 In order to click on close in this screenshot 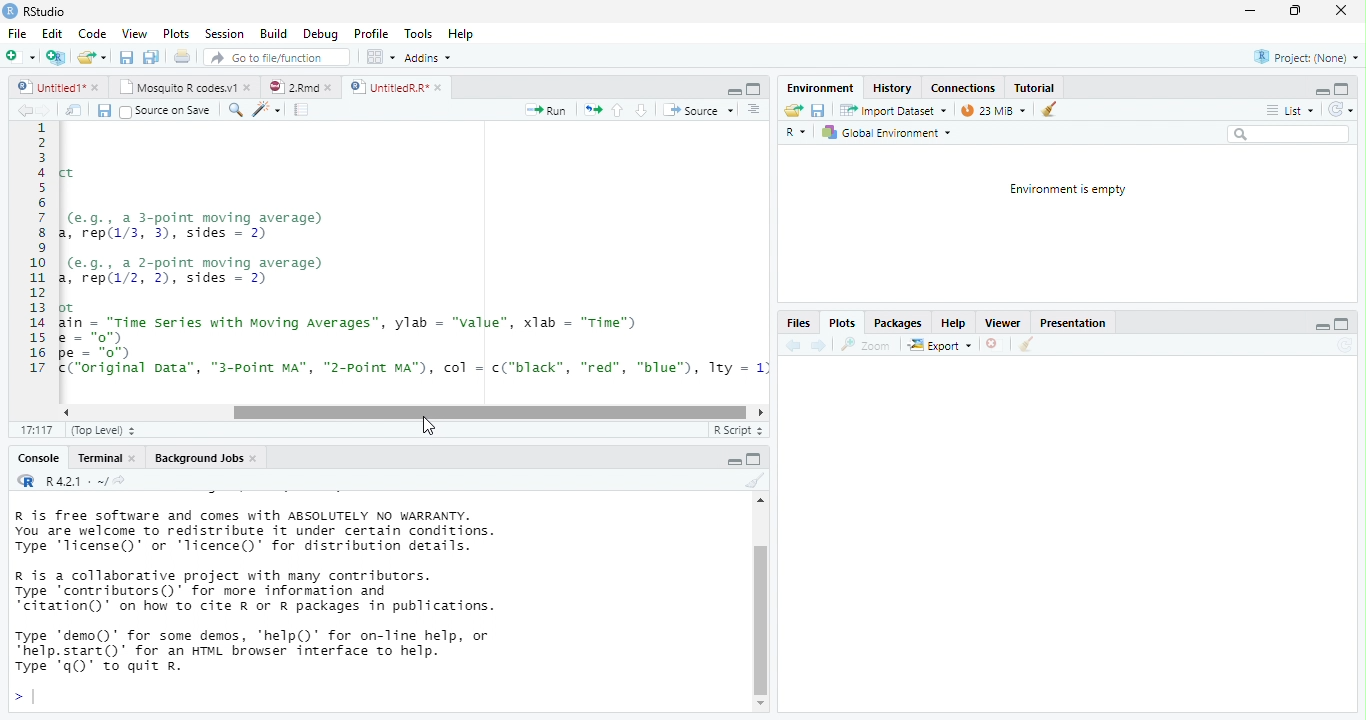, I will do `click(256, 459)`.